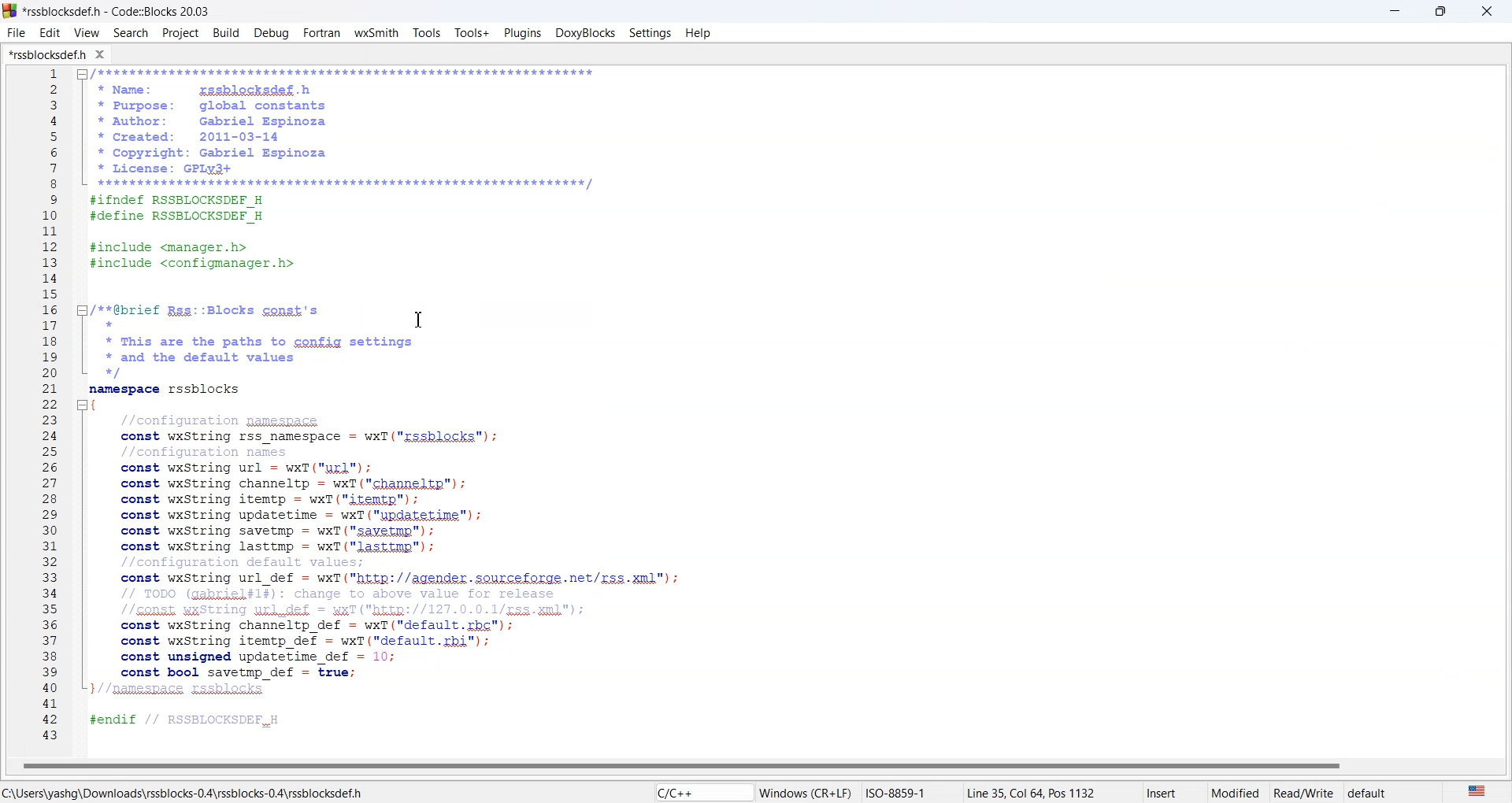  I want to click on Help, so click(699, 32).